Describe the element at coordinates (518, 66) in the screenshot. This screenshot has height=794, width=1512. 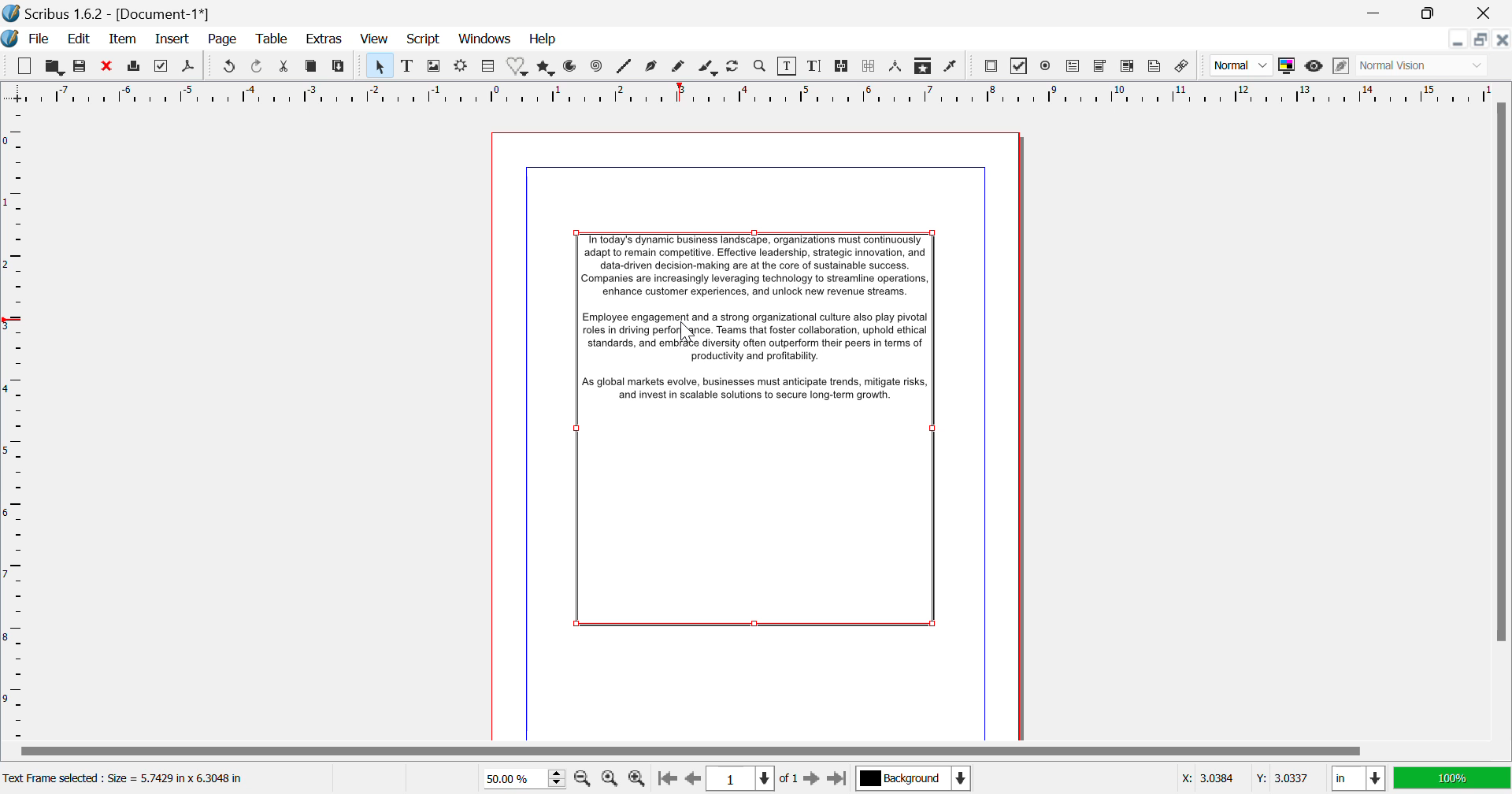
I see `Shapes` at that location.